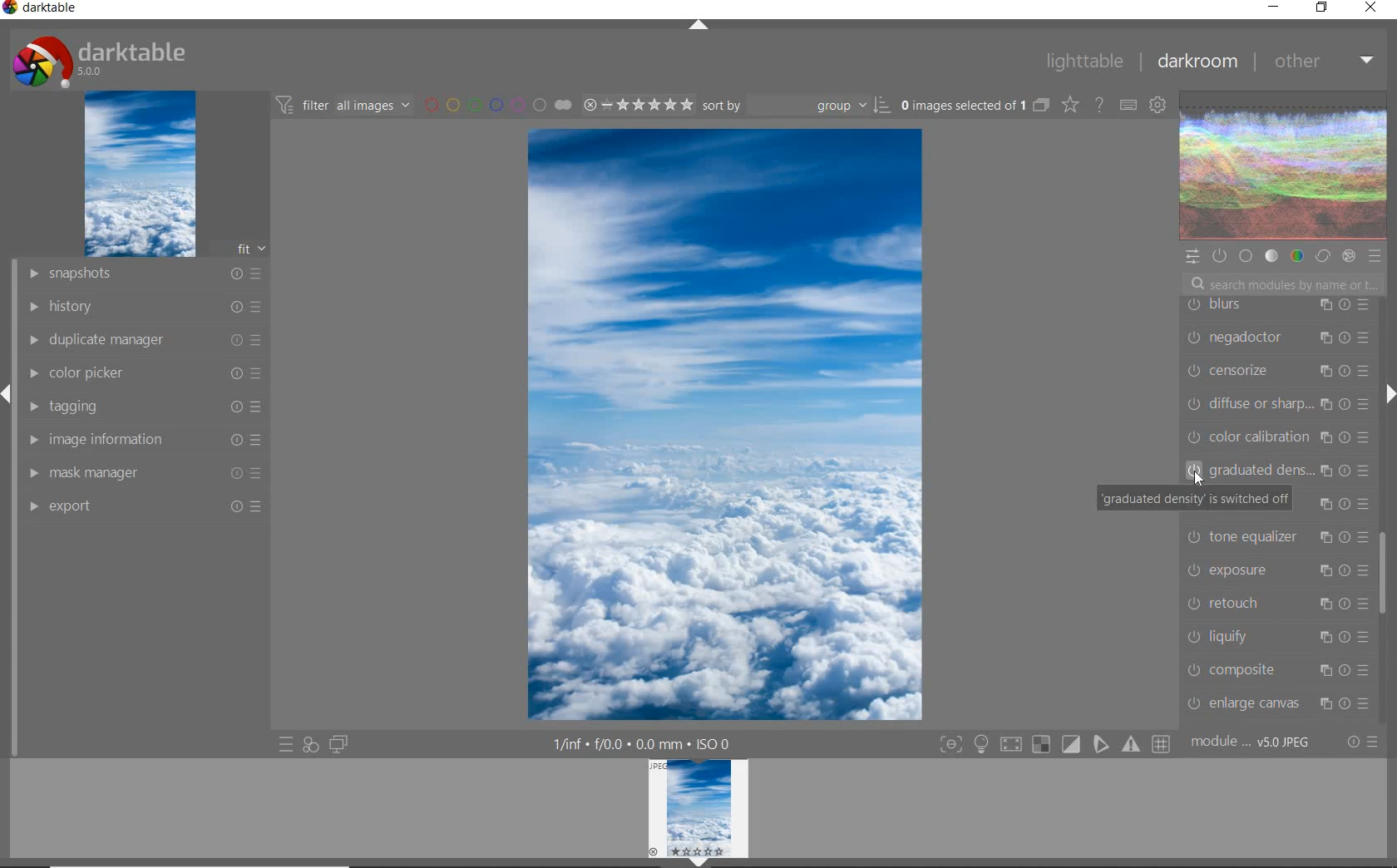 This screenshot has height=868, width=1397. I want to click on Up, so click(698, 27).